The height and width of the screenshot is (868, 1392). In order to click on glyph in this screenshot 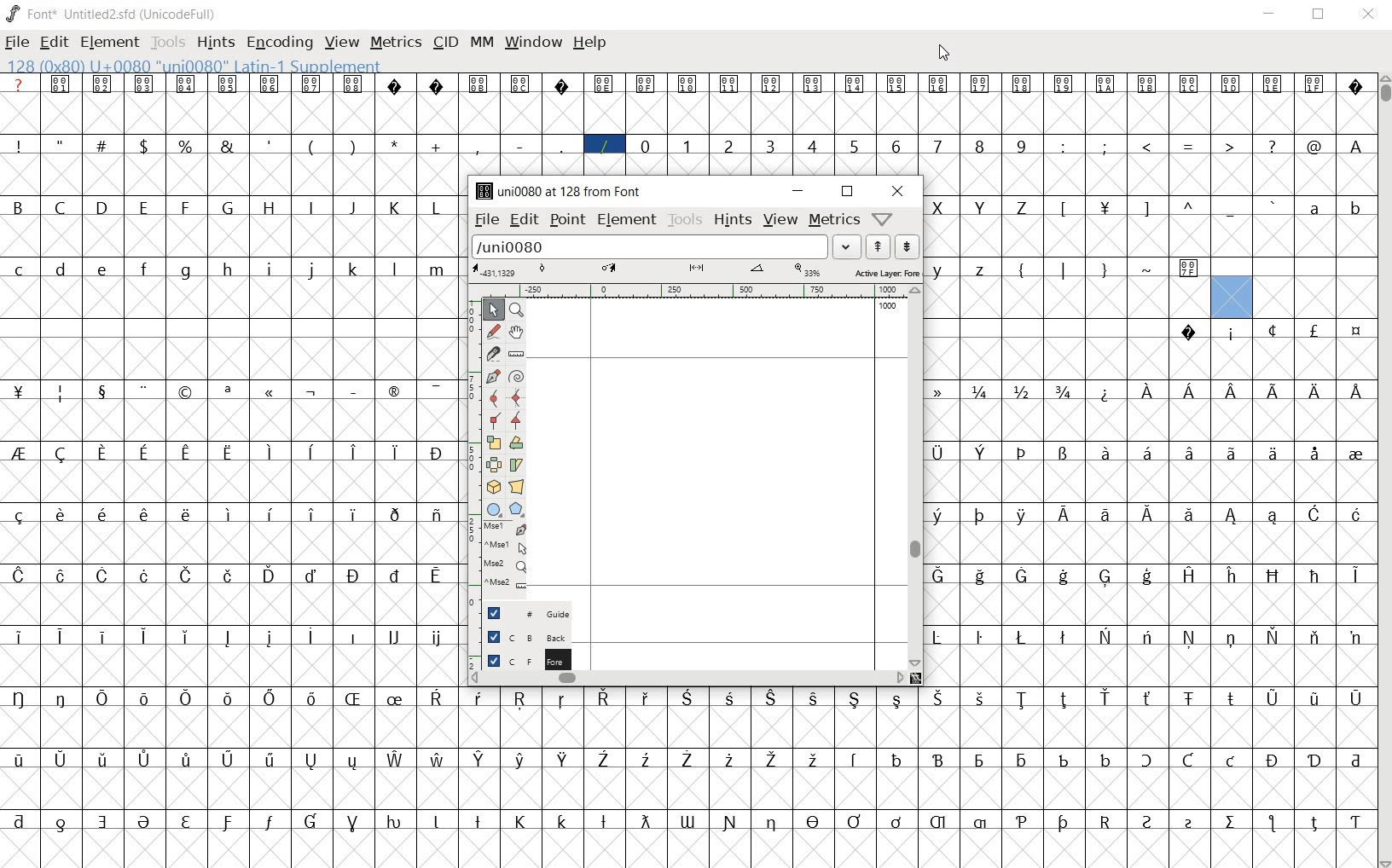, I will do `click(937, 391)`.